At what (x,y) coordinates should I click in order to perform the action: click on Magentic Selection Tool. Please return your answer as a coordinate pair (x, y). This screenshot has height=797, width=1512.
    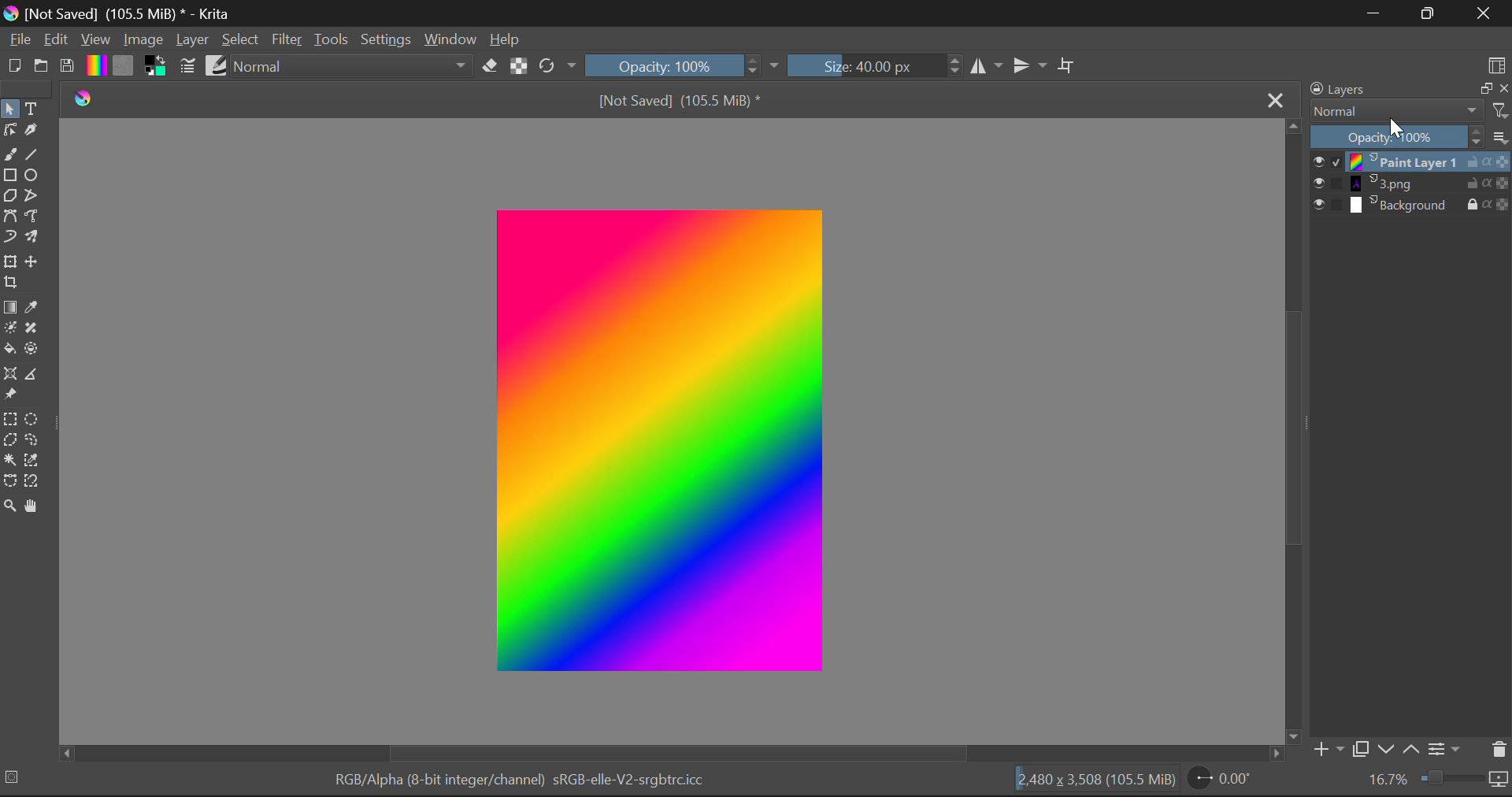
    Looking at the image, I should click on (34, 482).